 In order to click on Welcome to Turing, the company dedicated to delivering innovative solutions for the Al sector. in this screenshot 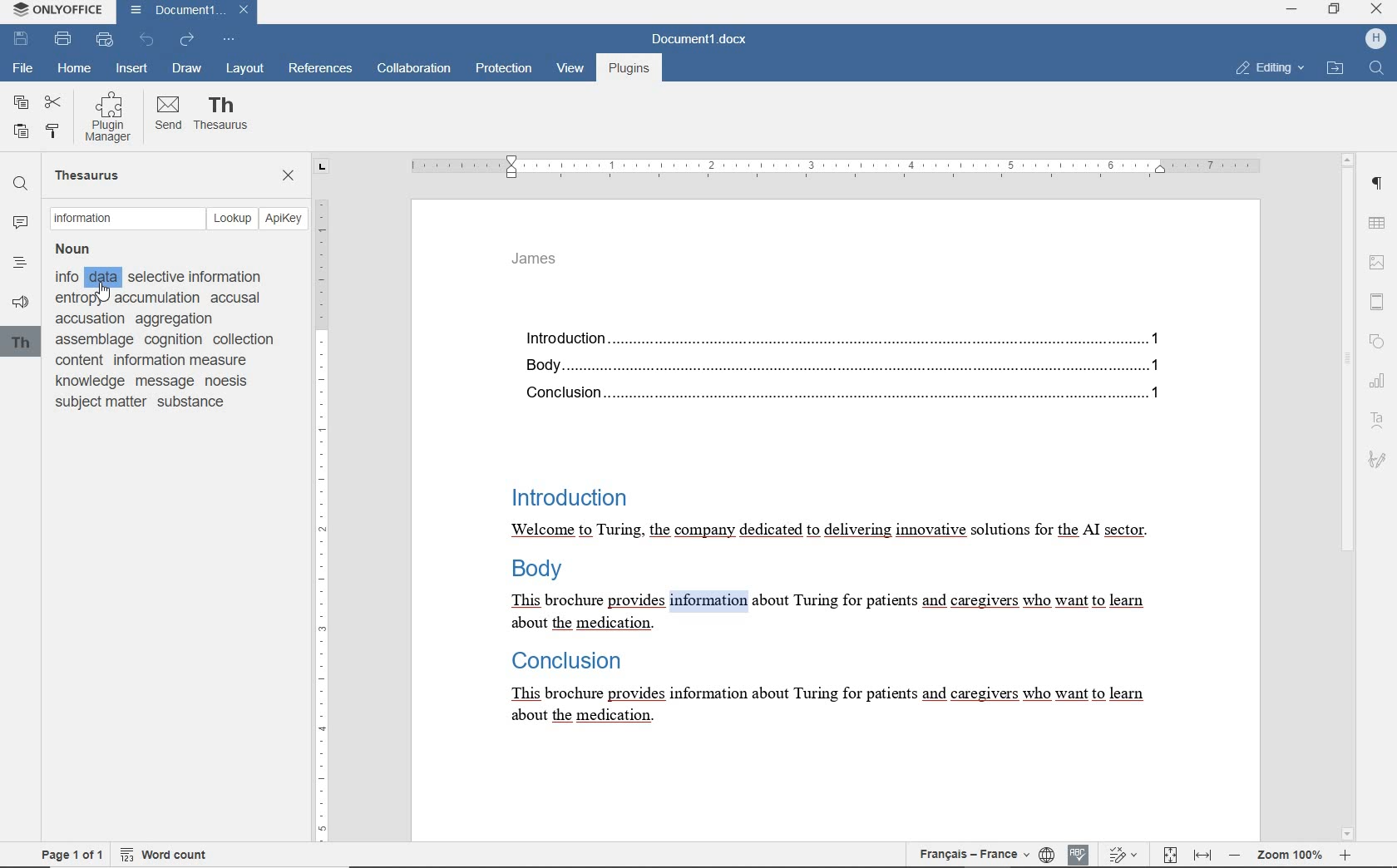, I will do `click(842, 530)`.